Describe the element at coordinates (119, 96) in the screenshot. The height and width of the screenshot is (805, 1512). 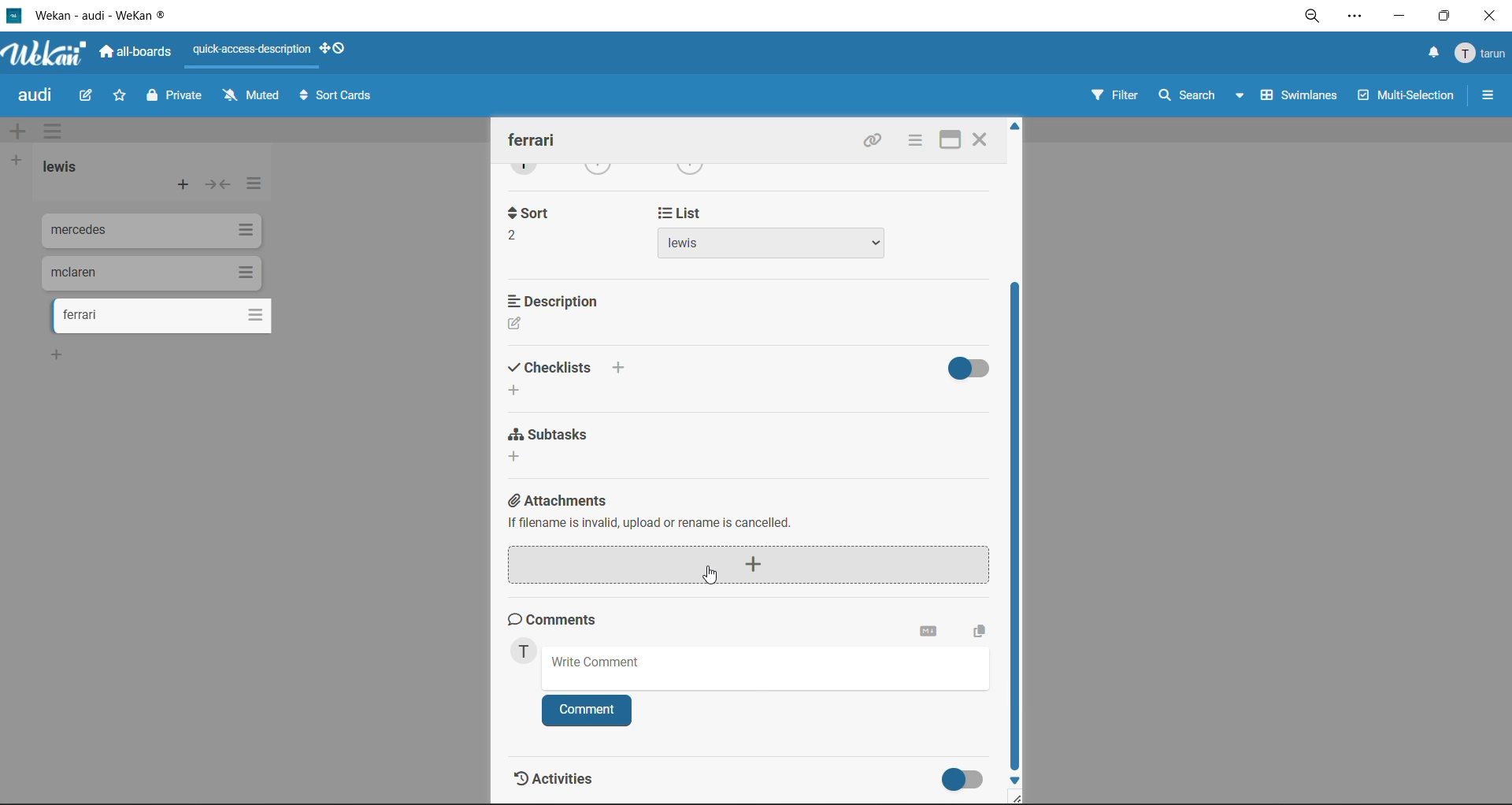
I see `star` at that location.